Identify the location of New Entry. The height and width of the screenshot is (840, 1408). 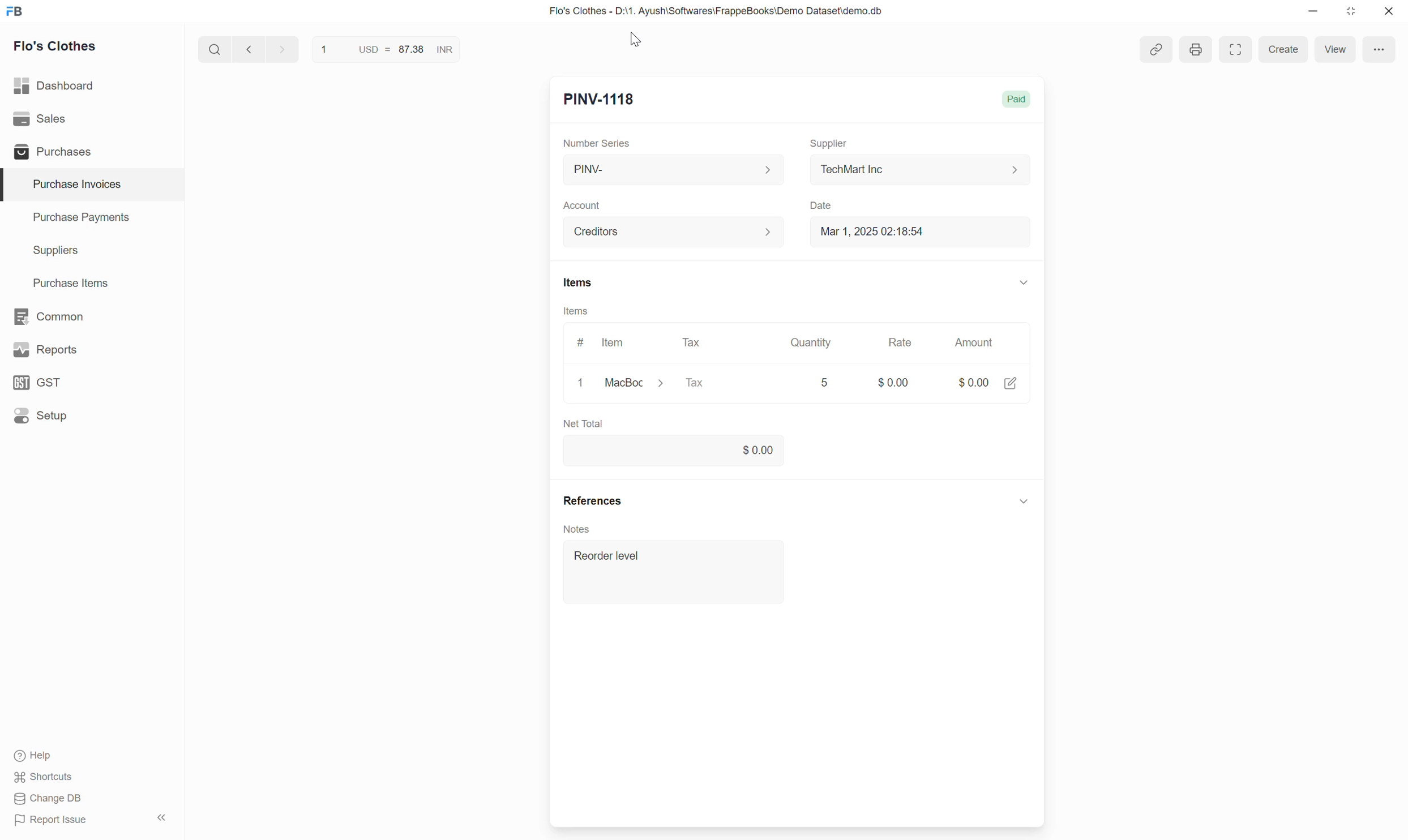
(601, 100).